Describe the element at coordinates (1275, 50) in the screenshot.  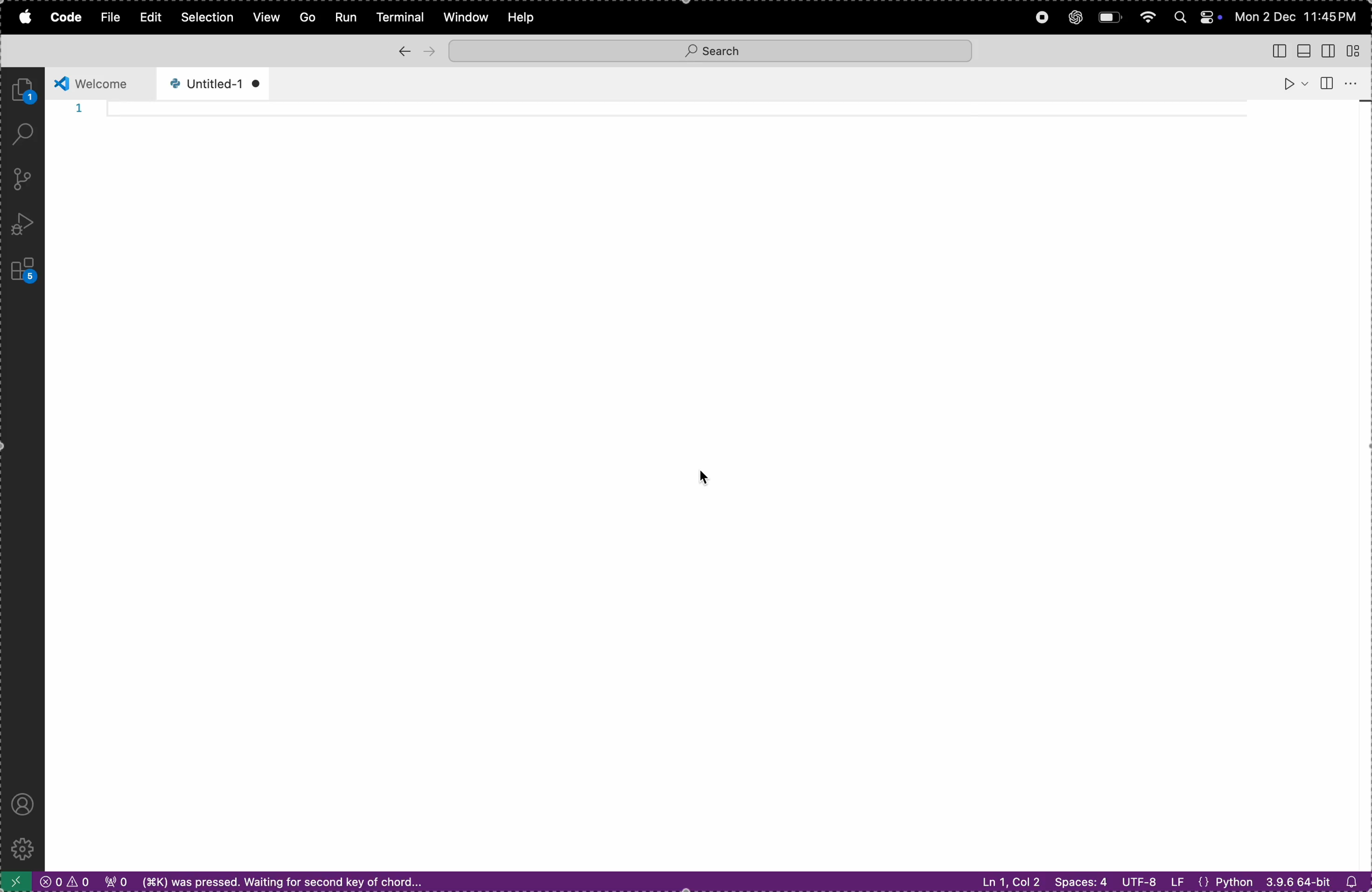
I see `toggle primary side bar` at that location.